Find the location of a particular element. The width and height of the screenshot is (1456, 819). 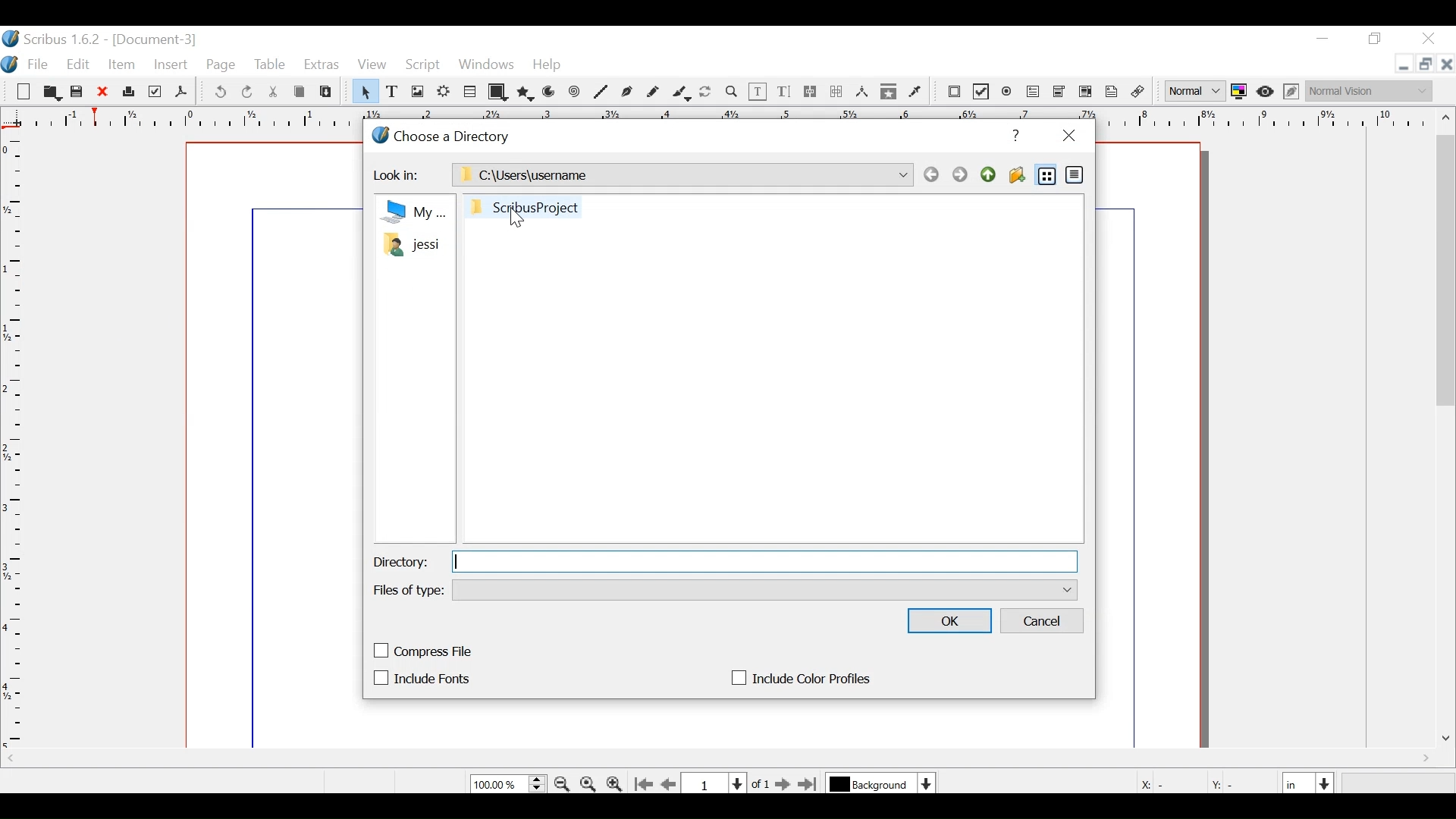

(un)check Include color profiles is located at coordinates (799, 678).